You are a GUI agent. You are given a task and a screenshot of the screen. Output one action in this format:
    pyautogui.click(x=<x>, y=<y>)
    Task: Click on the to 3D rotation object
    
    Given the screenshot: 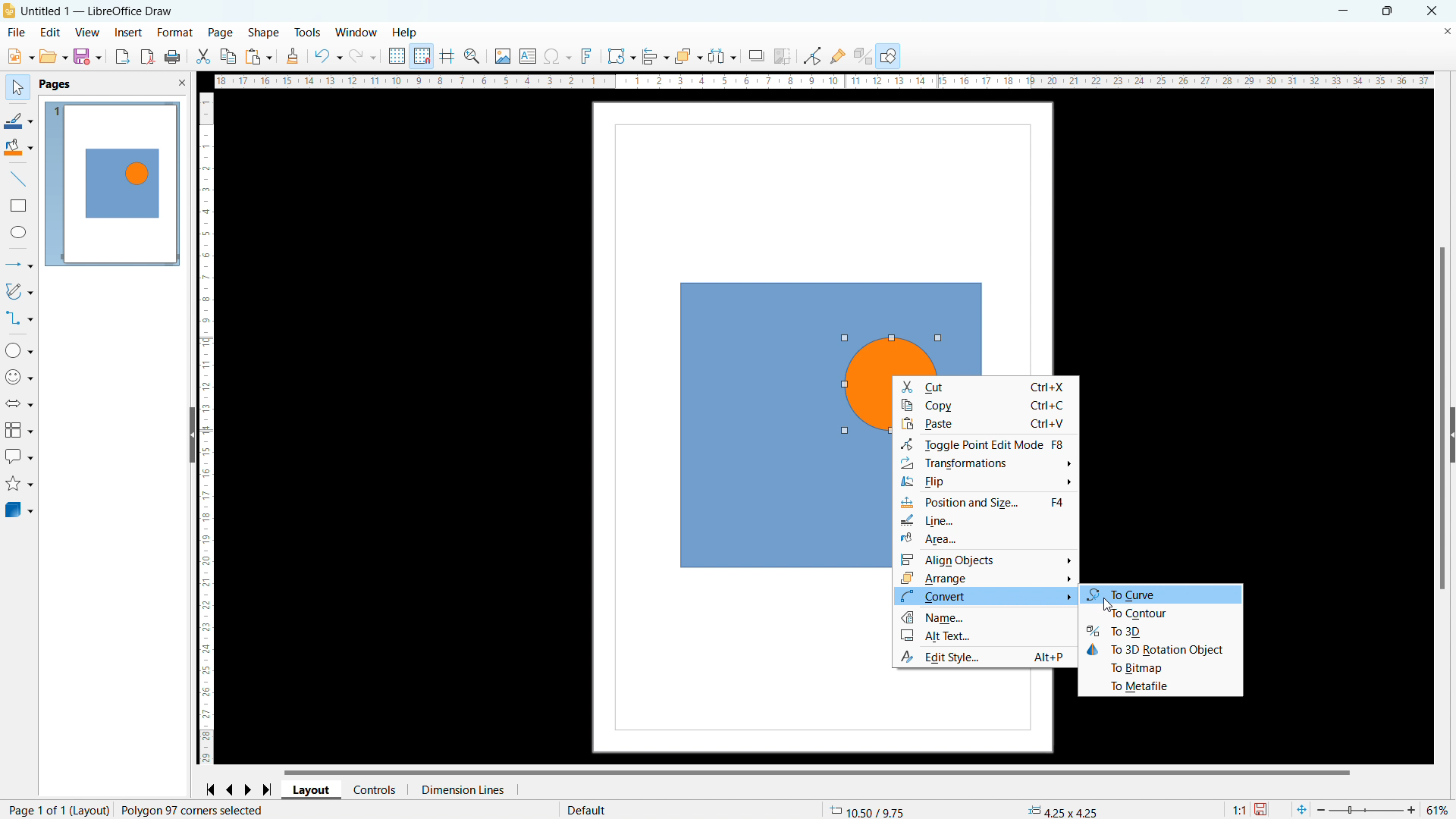 What is the action you would take?
    pyautogui.click(x=1159, y=650)
    